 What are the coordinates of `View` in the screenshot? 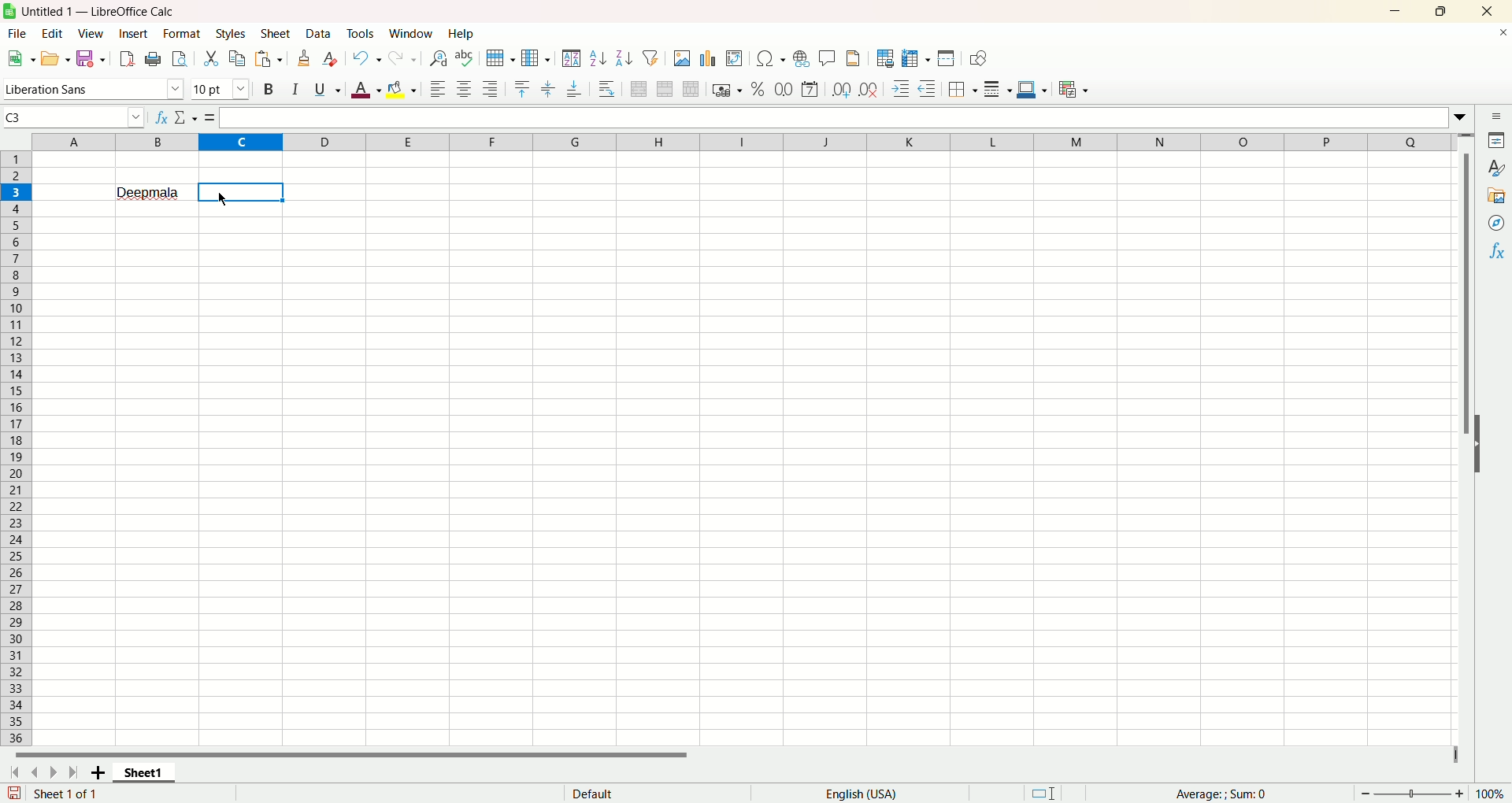 It's located at (93, 35).